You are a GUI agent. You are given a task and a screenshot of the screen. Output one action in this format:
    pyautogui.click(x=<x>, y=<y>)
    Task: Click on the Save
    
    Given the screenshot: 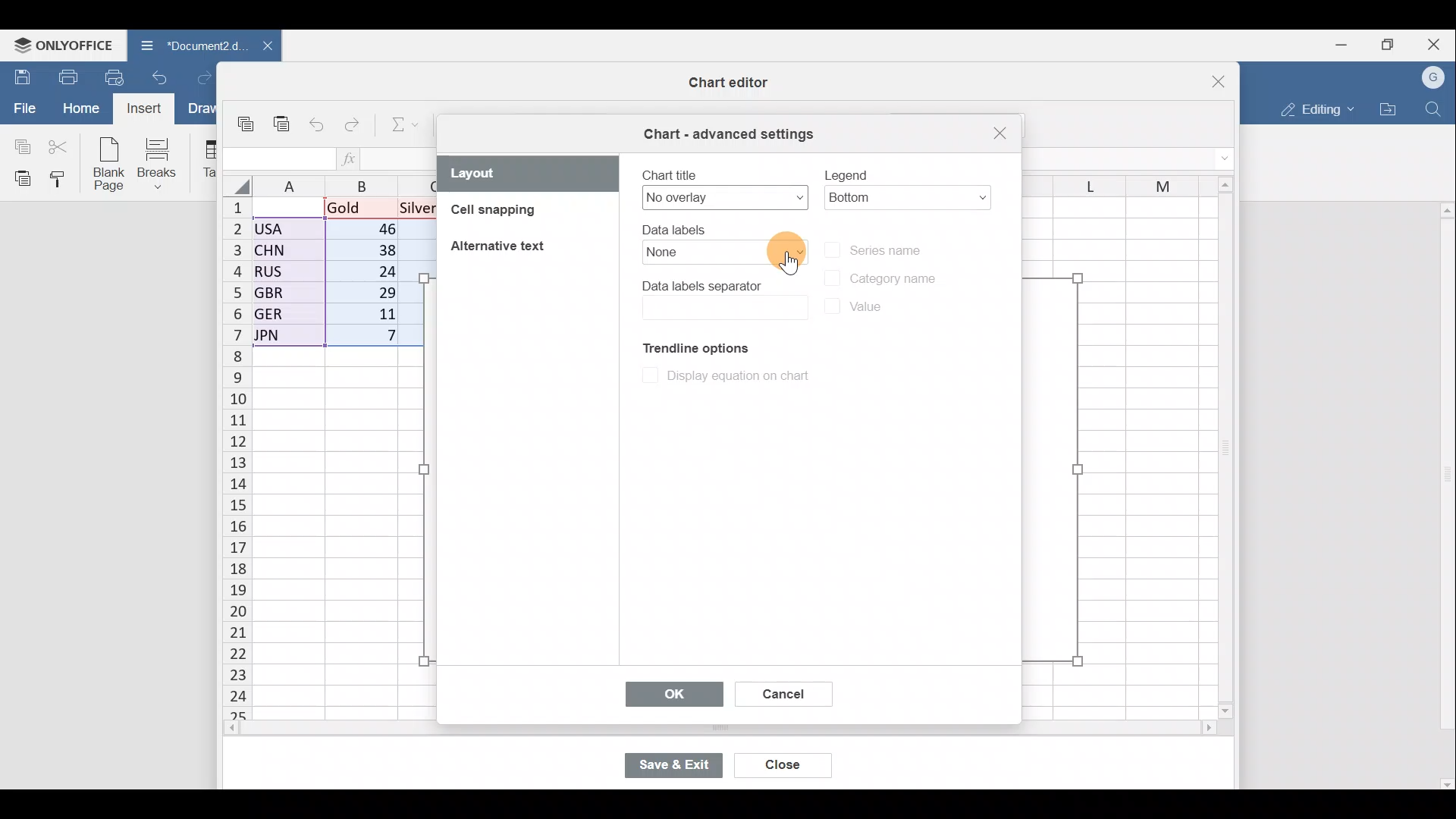 What is the action you would take?
    pyautogui.click(x=19, y=77)
    